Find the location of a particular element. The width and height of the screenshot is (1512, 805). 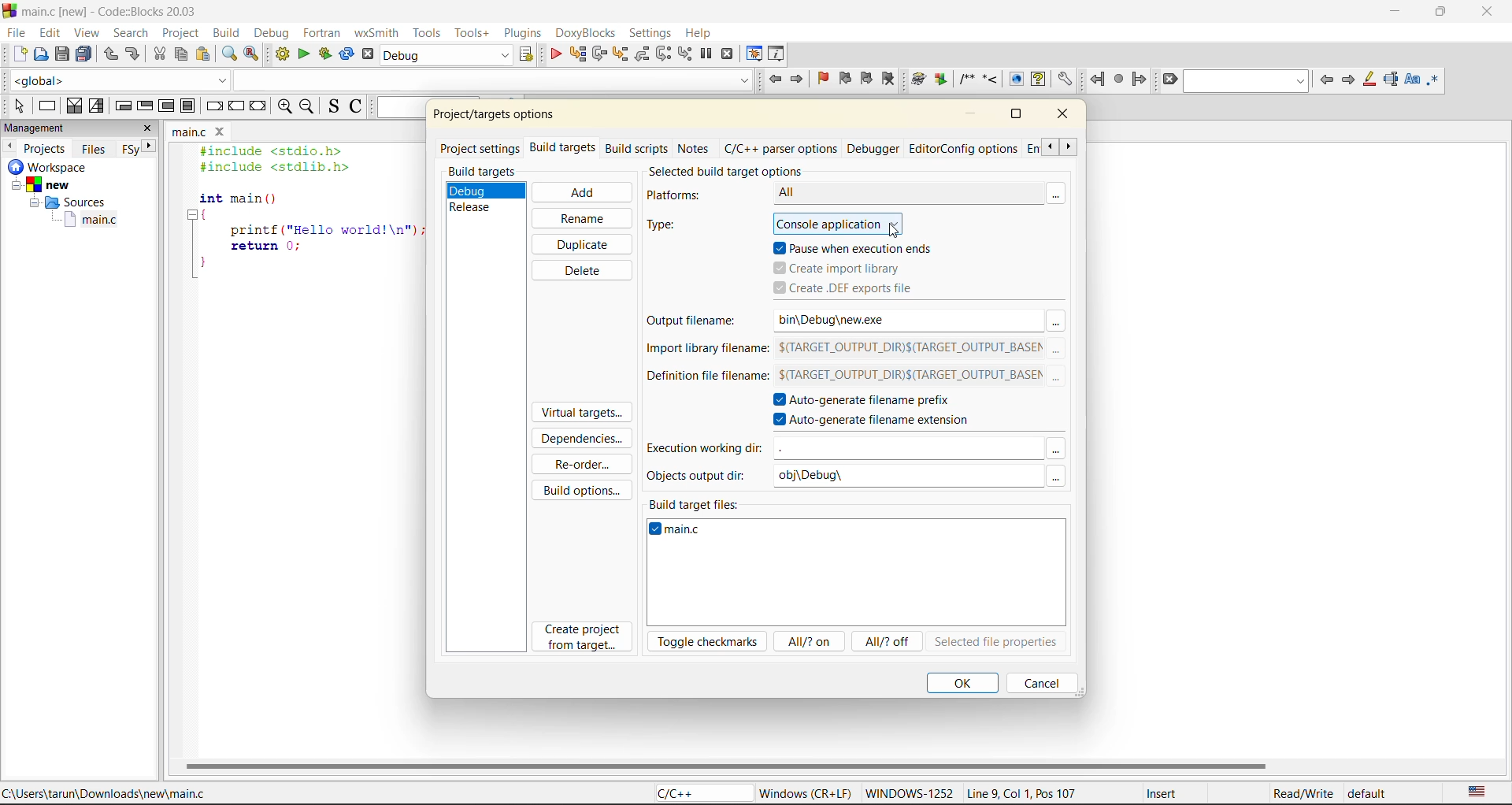

Run HTML Help documentation is located at coordinates (1039, 80).